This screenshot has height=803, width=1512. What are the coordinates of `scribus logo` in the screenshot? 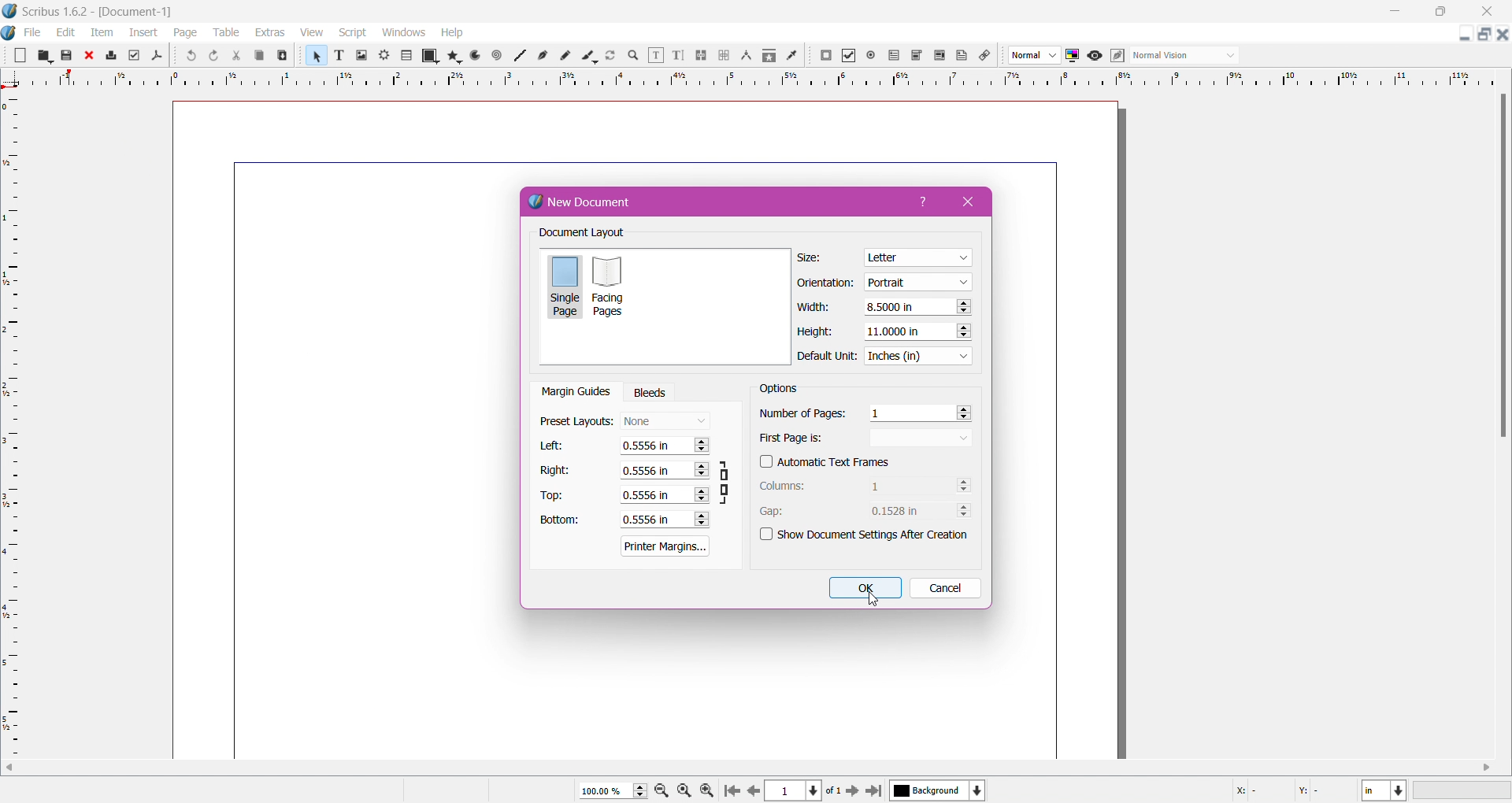 It's located at (13, 11).